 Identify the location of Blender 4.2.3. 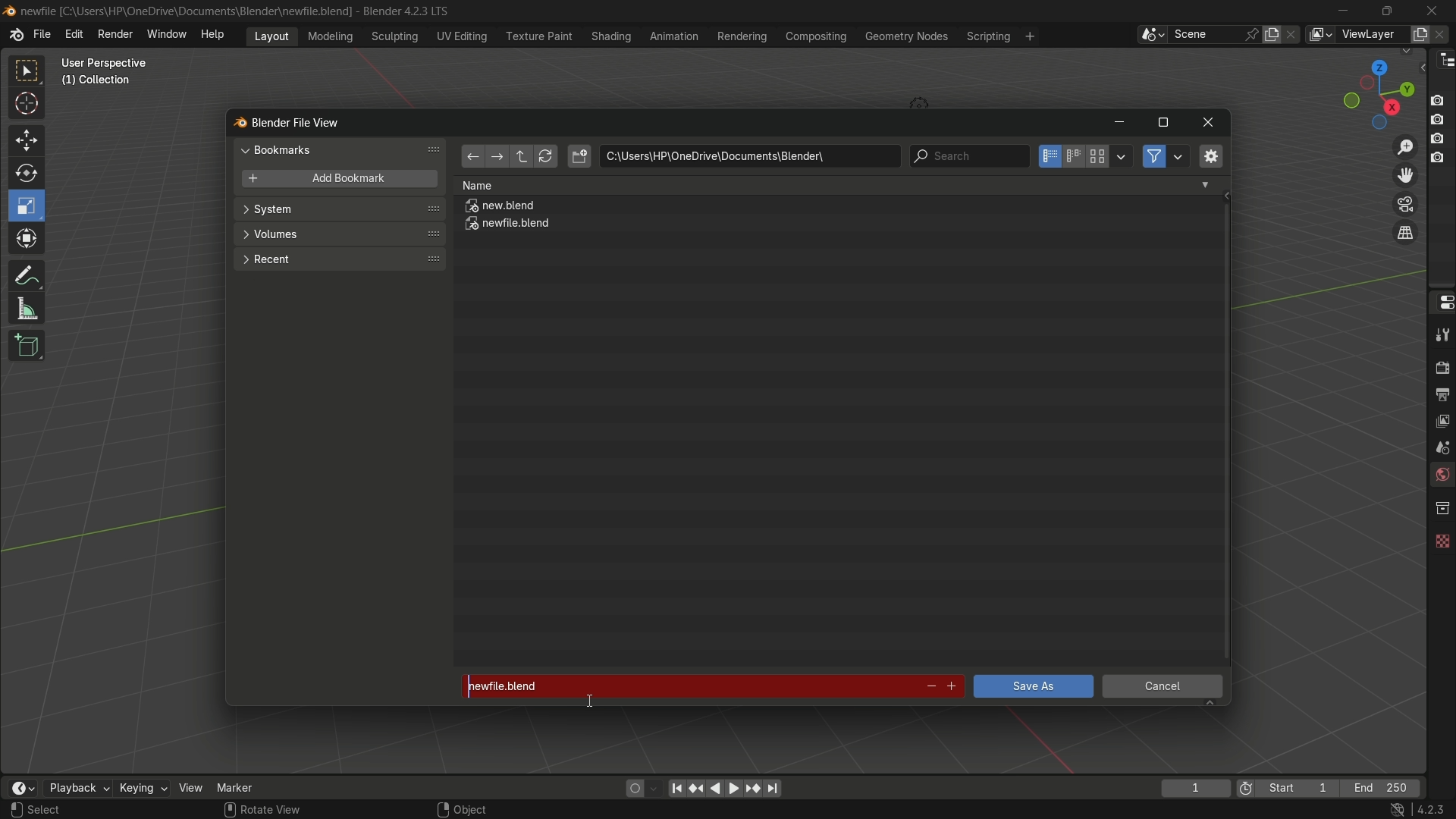
(402, 11).